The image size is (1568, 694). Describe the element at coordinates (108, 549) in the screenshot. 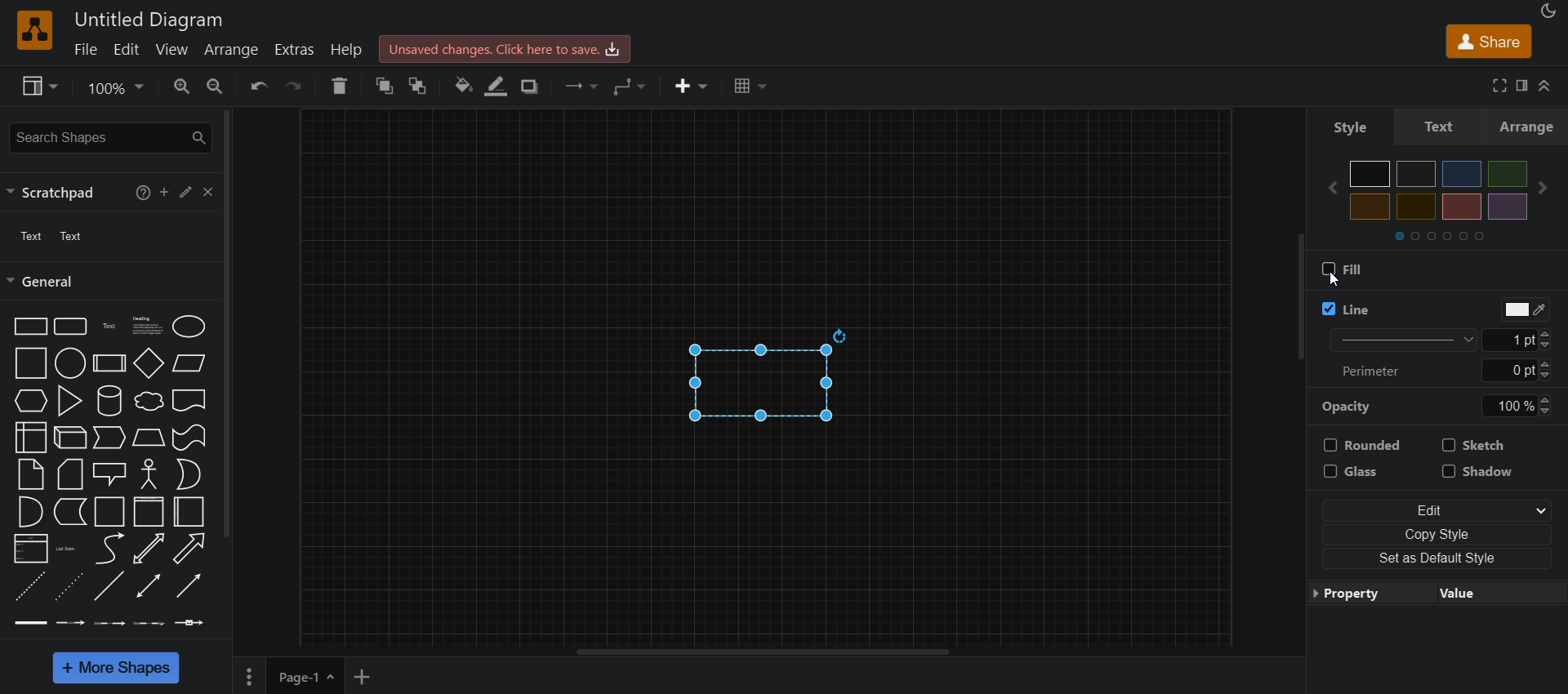

I see `curve` at that location.